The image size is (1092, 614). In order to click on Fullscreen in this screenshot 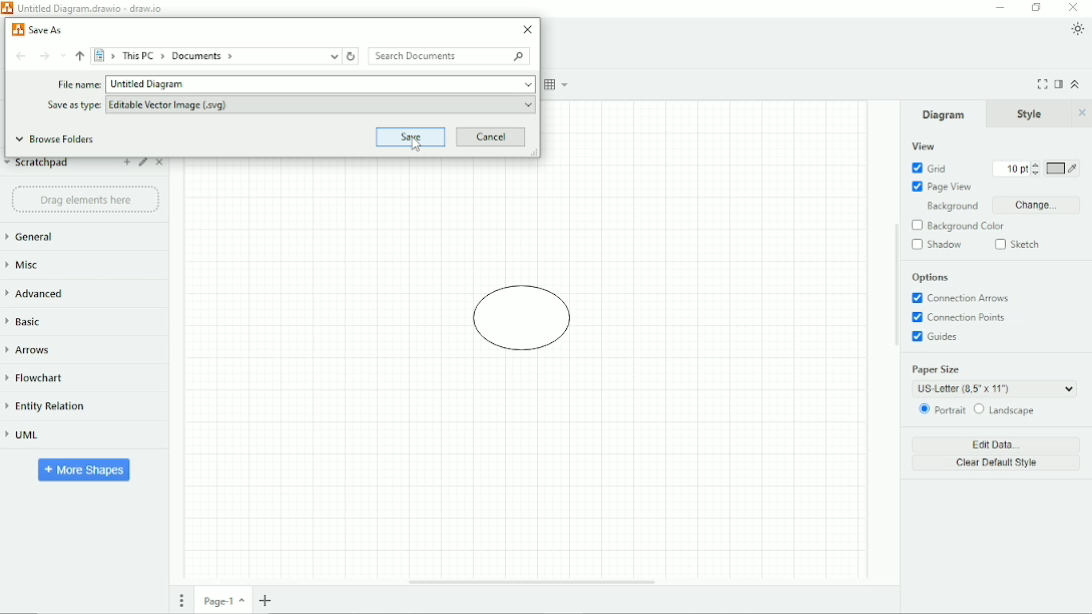, I will do `click(1042, 84)`.